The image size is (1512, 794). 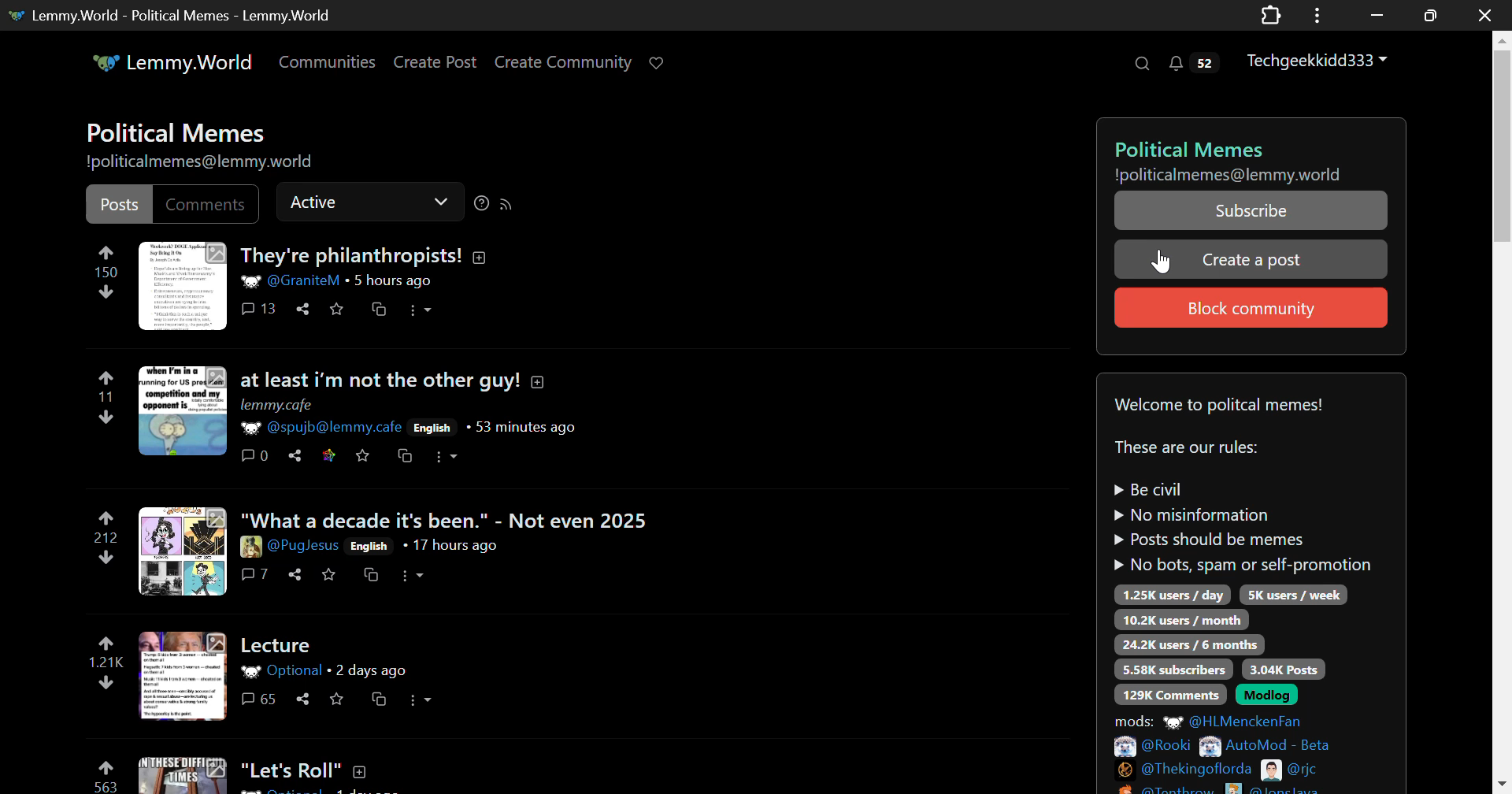 What do you see at coordinates (1143, 65) in the screenshot?
I see `Search` at bounding box center [1143, 65].